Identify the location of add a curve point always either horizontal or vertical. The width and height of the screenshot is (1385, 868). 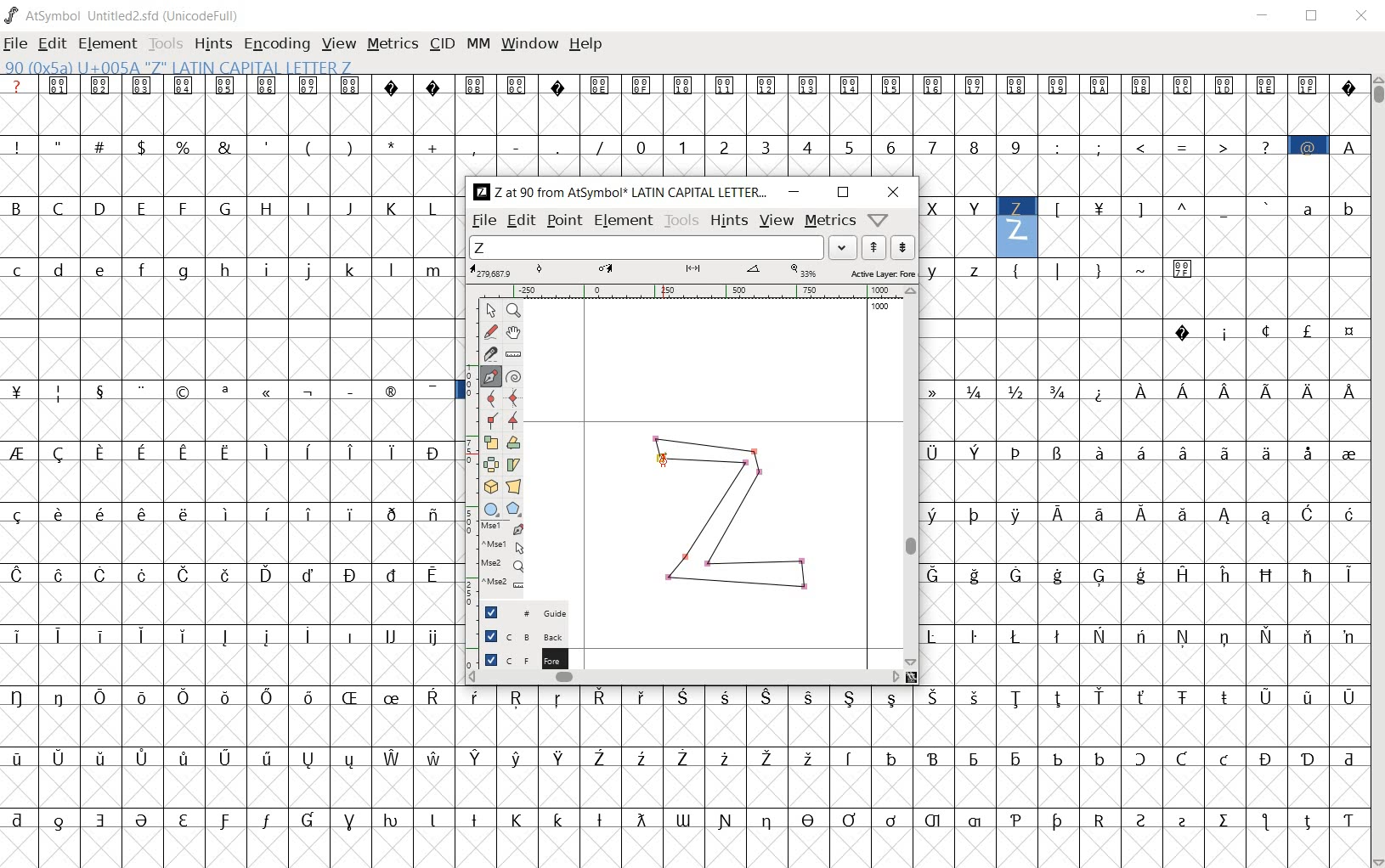
(513, 397).